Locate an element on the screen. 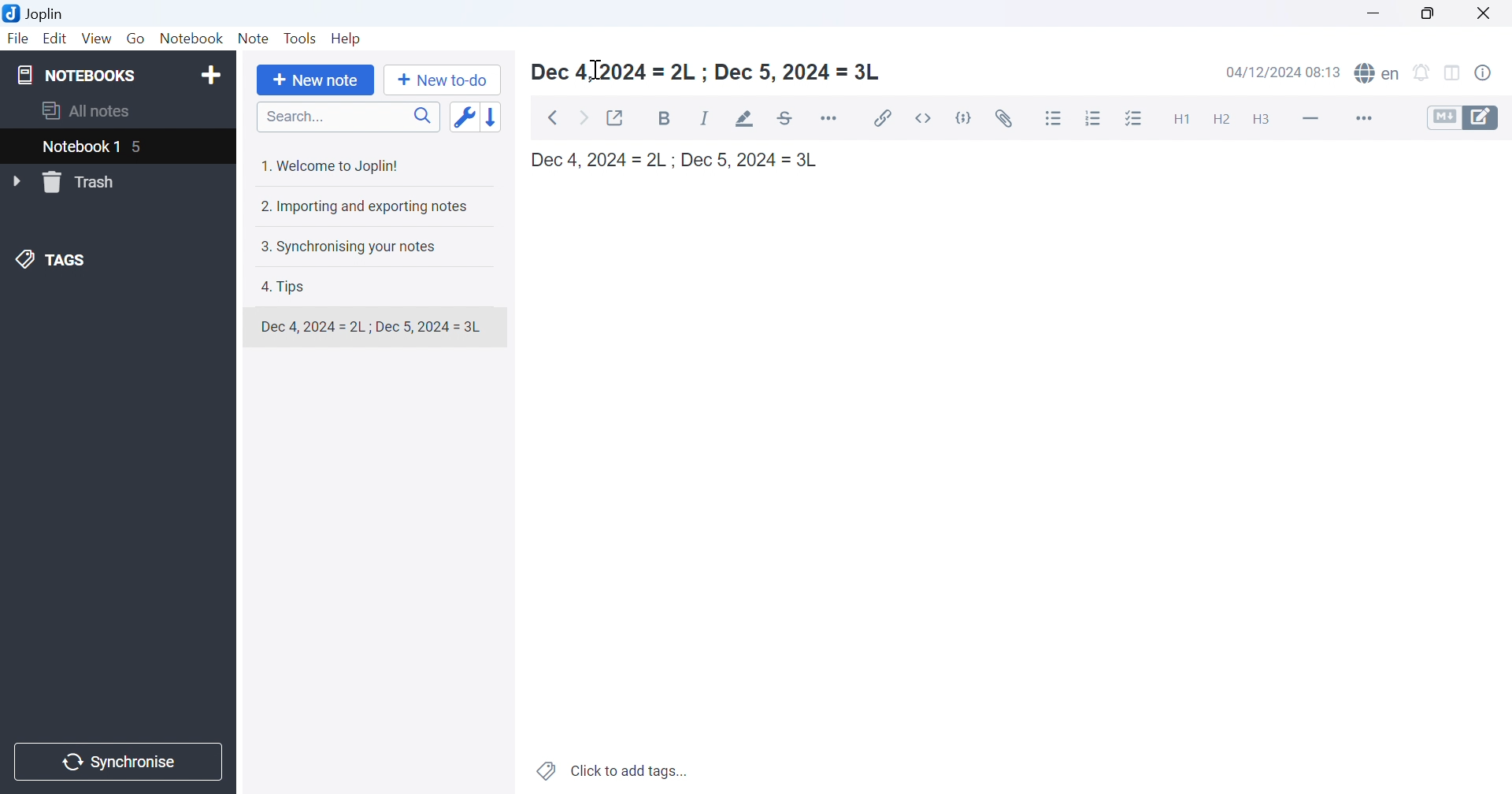 The height and width of the screenshot is (794, 1512). Help is located at coordinates (351, 39).